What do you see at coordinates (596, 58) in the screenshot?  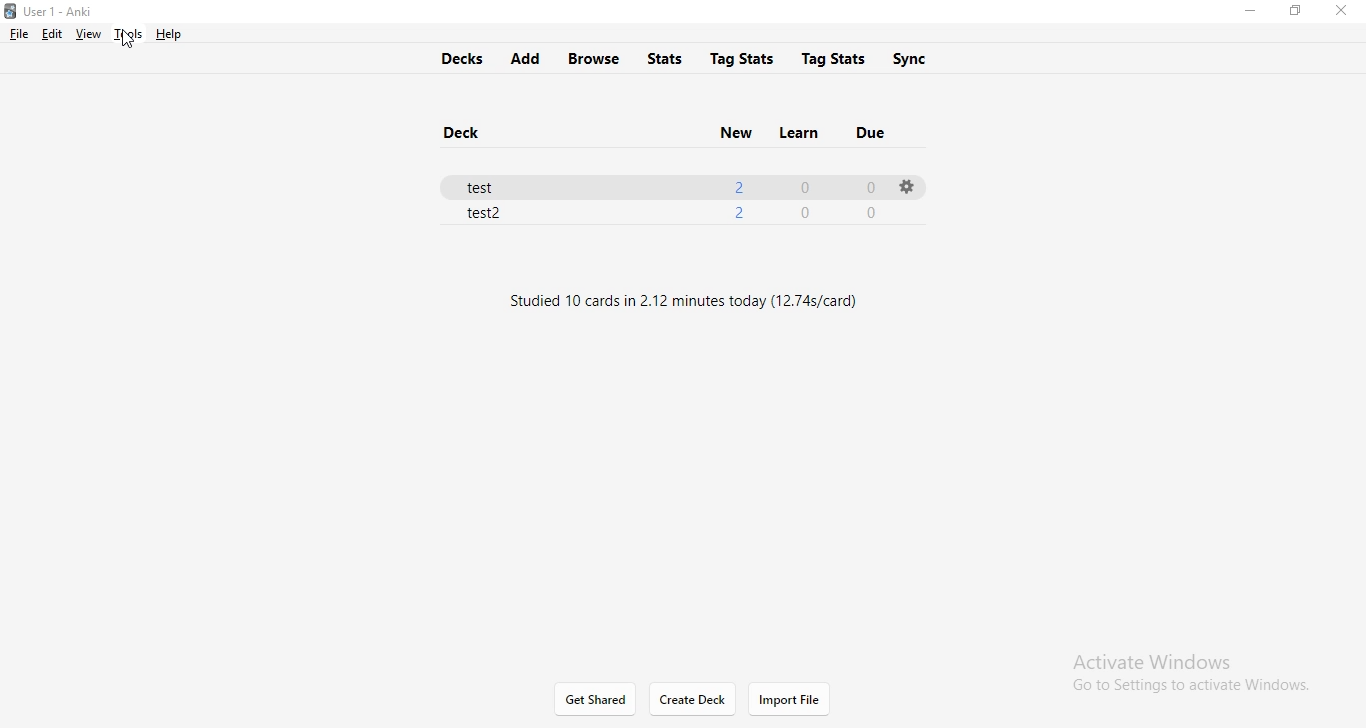 I see `browse` at bounding box center [596, 58].